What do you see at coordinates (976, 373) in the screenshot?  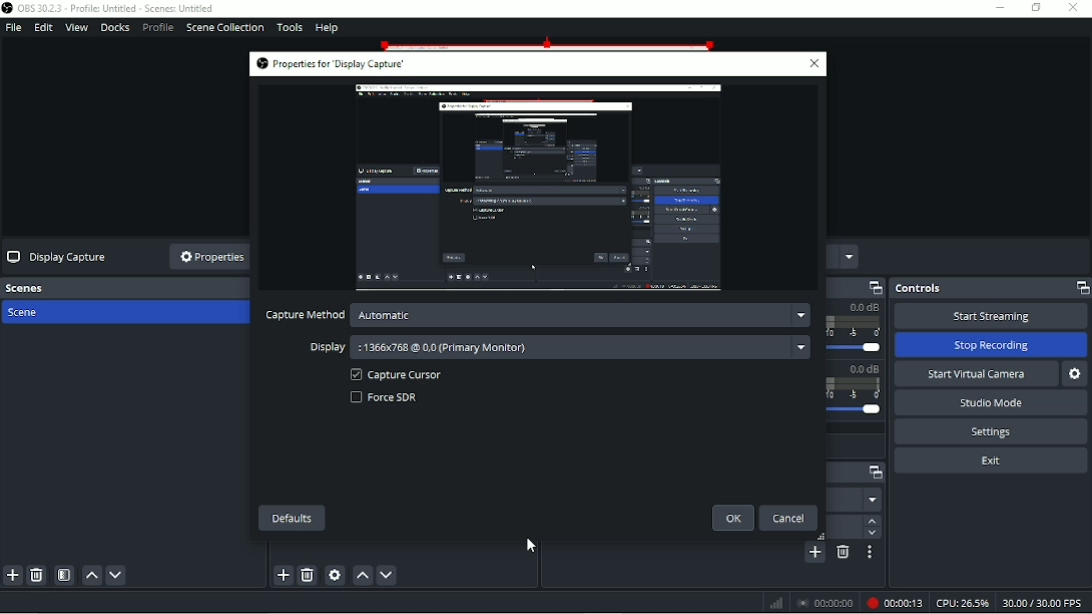 I see `Start virtual camera` at bounding box center [976, 373].